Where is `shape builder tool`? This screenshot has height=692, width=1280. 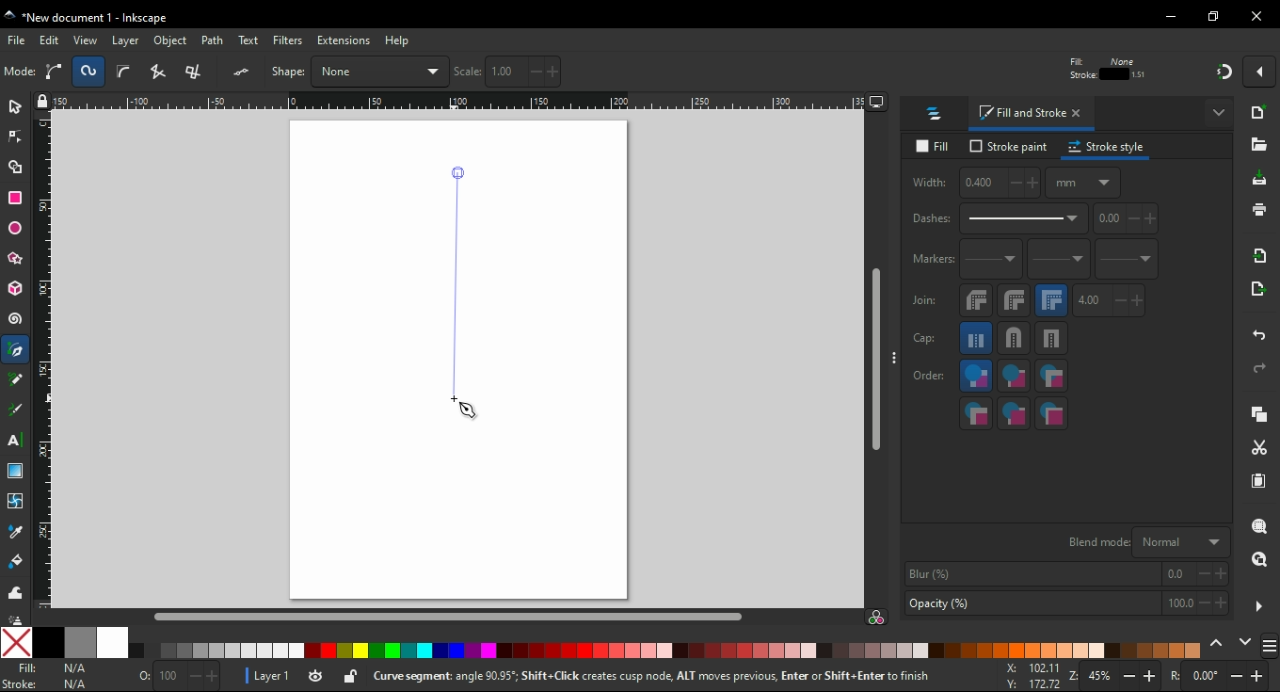
shape builder tool is located at coordinates (13, 167).